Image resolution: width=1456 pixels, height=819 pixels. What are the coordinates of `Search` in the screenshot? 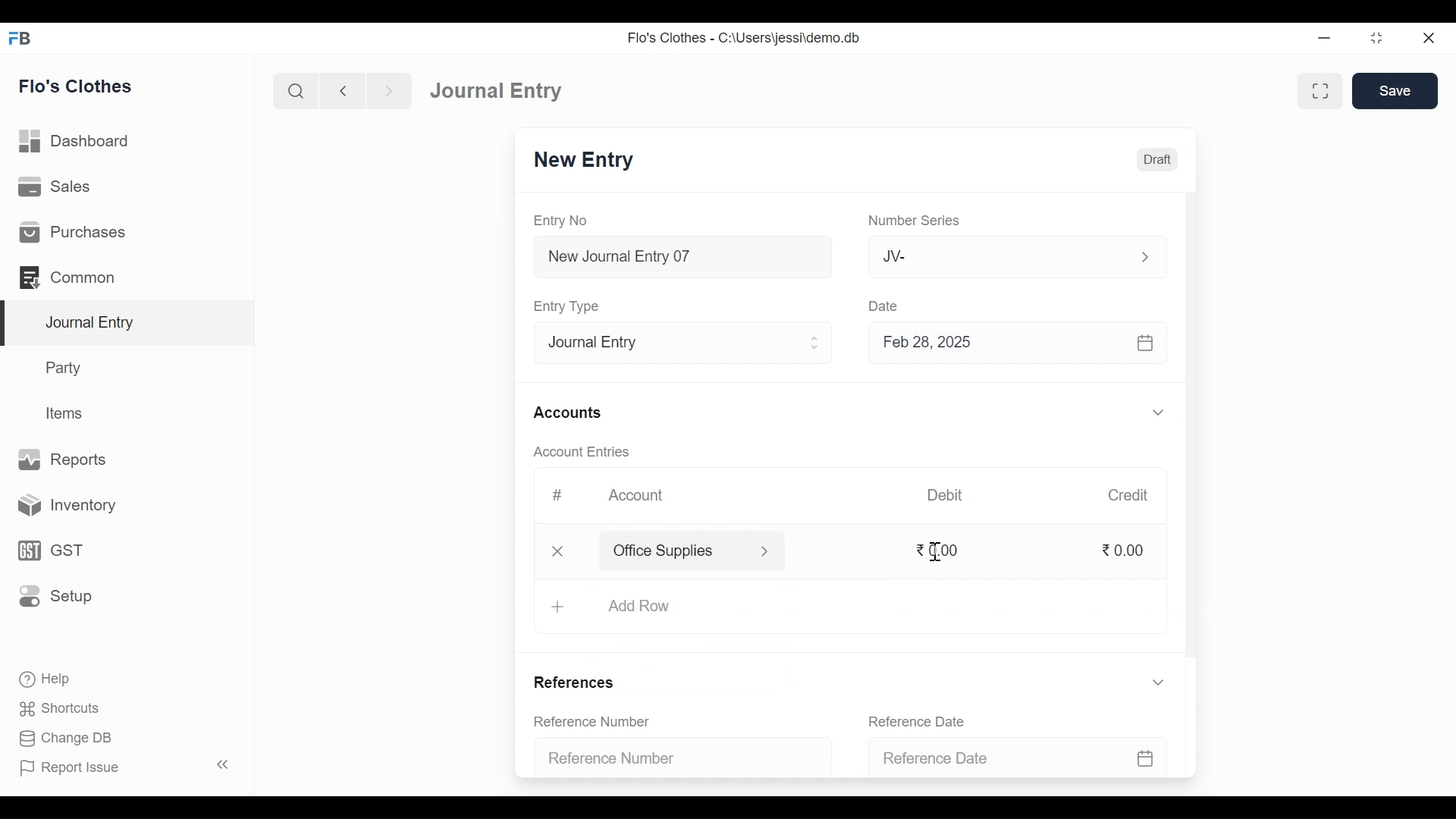 It's located at (296, 92).